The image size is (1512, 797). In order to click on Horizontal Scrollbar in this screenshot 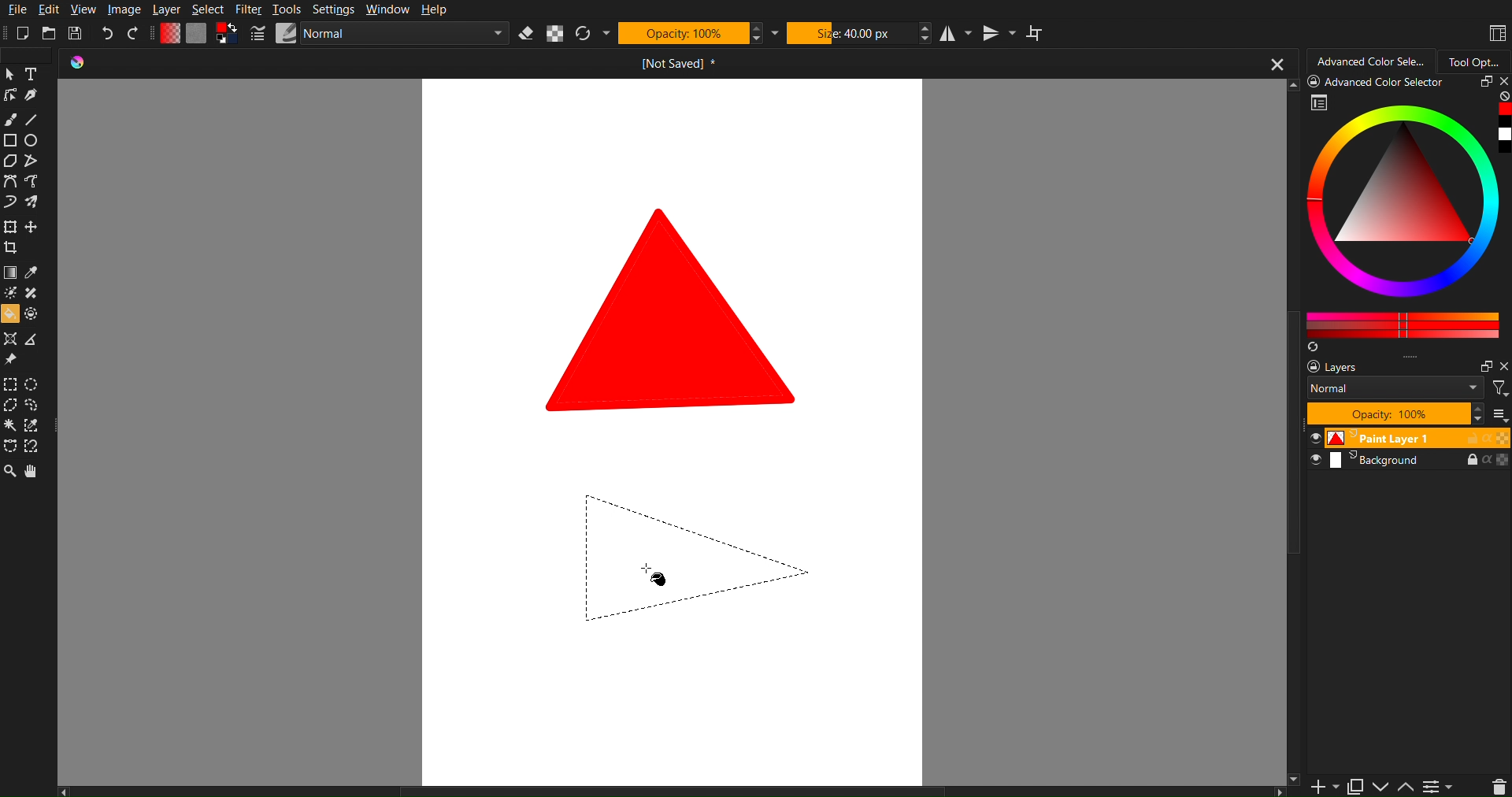, I will do `click(675, 790)`.